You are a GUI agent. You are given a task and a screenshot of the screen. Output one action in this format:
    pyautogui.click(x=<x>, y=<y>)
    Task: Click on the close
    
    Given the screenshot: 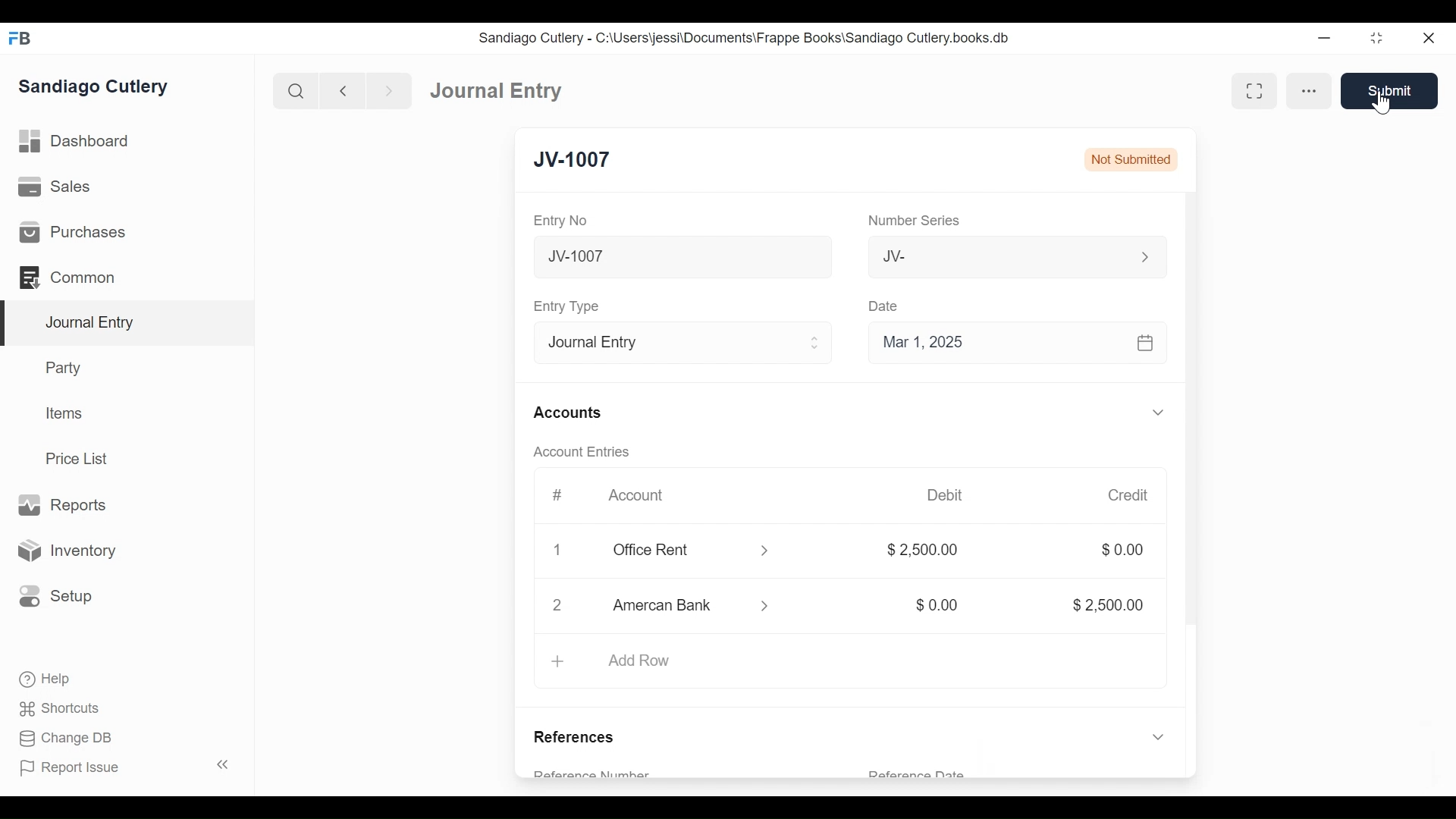 What is the action you would take?
    pyautogui.click(x=1434, y=36)
    